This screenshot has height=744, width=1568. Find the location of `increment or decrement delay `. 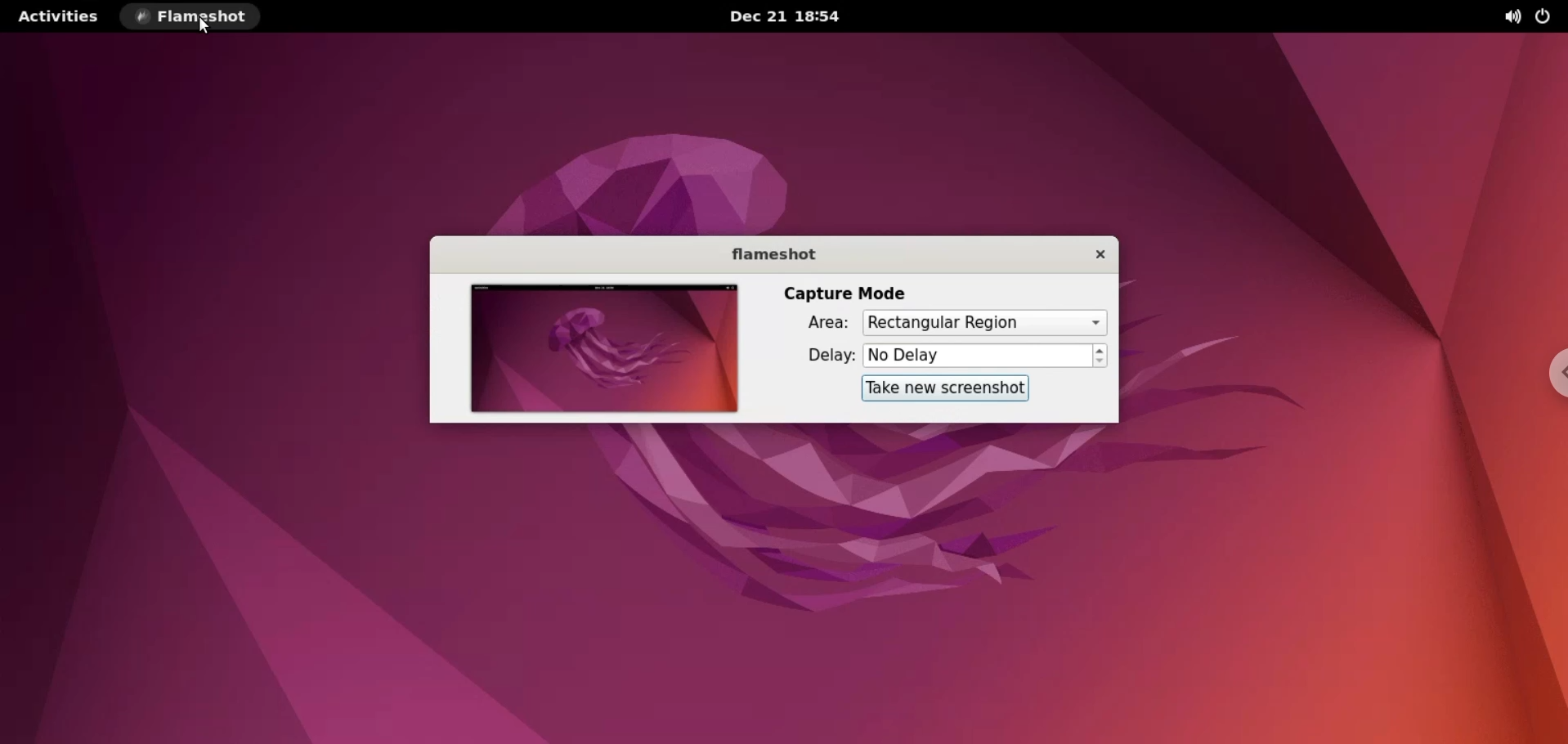

increment or decrement delay  is located at coordinates (1102, 357).